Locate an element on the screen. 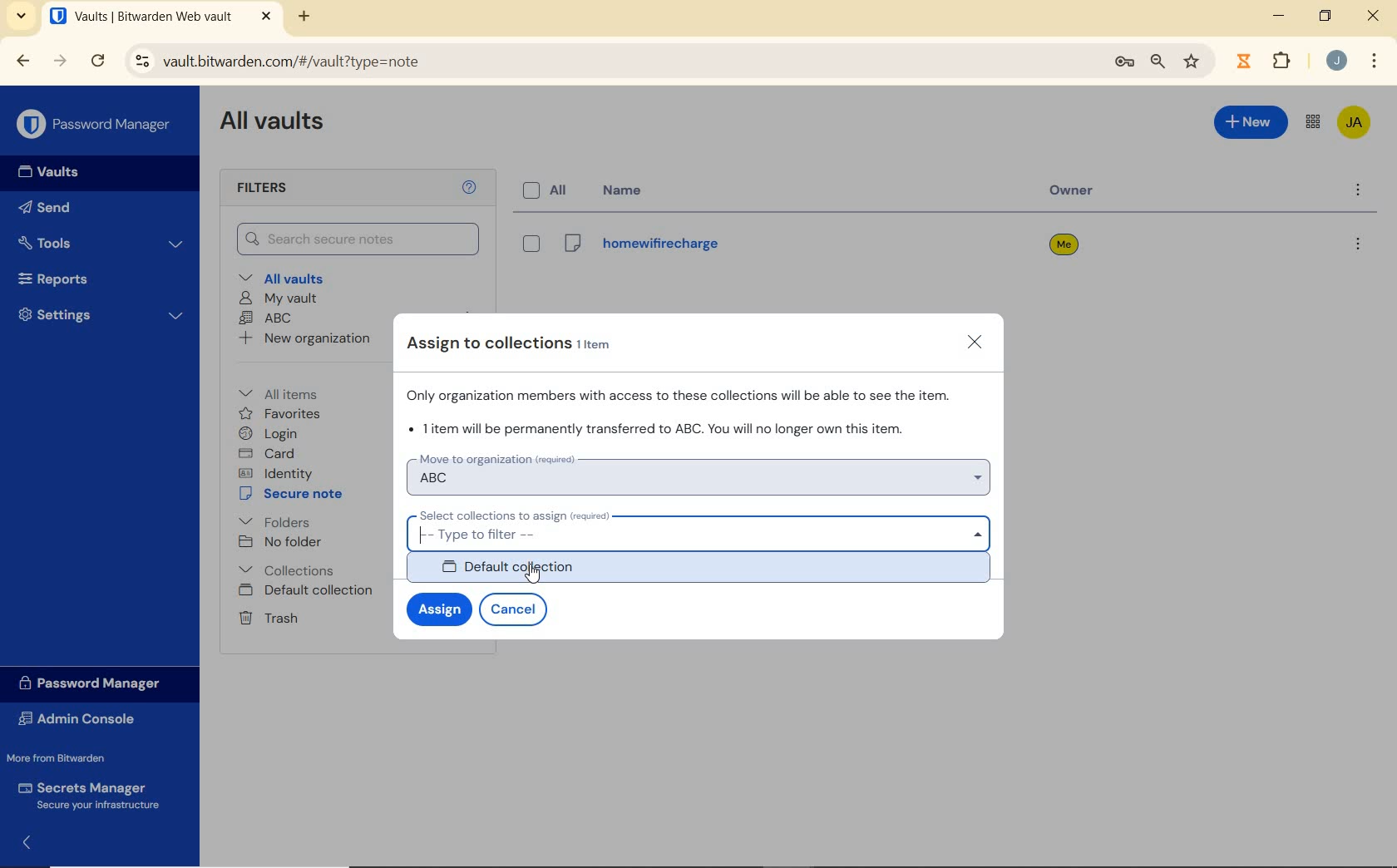 This screenshot has height=868, width=1397. default collection is located at coordinates (704, 570).